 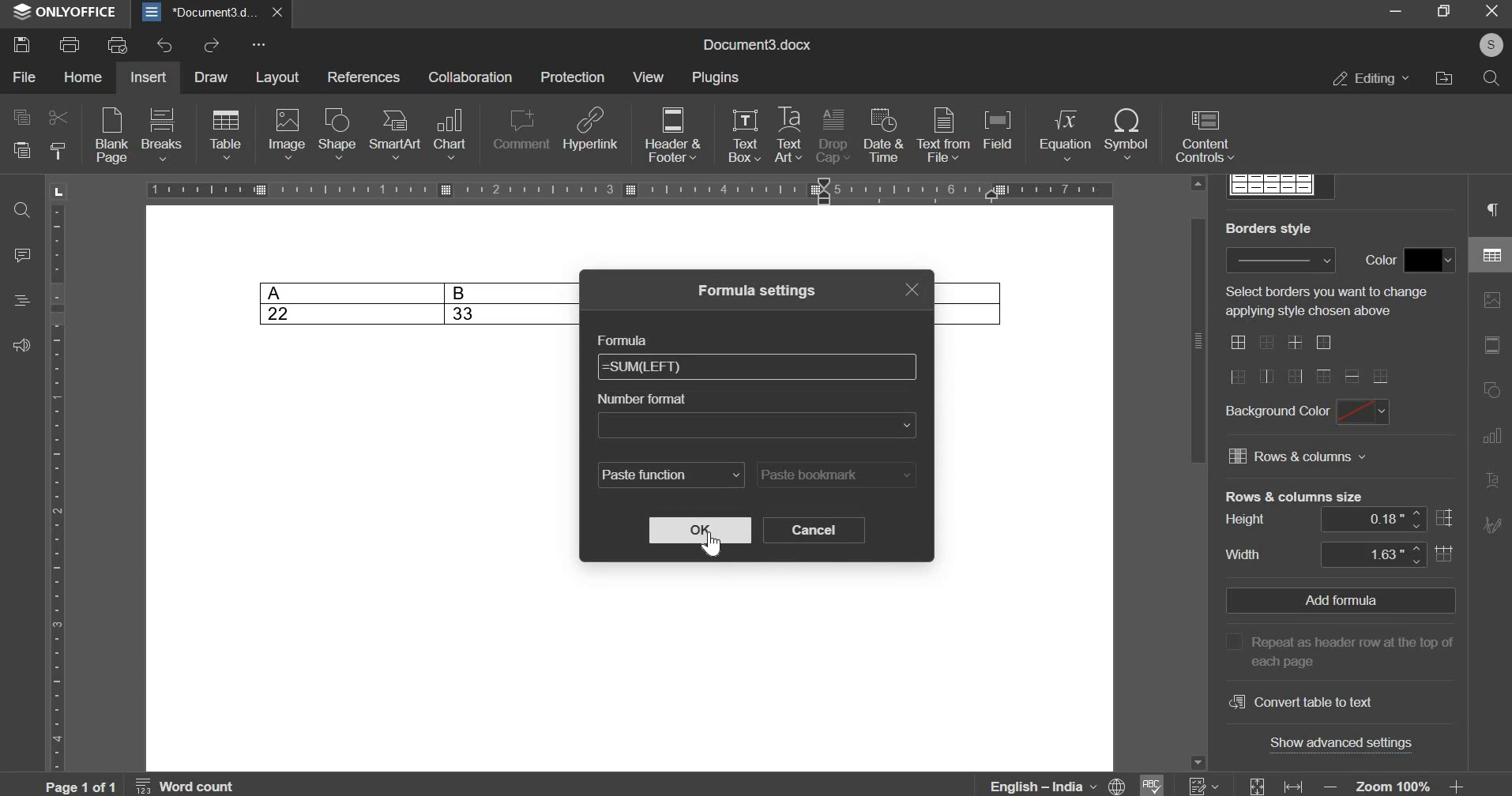 I want to click on number format, so click(x=759, y=423).